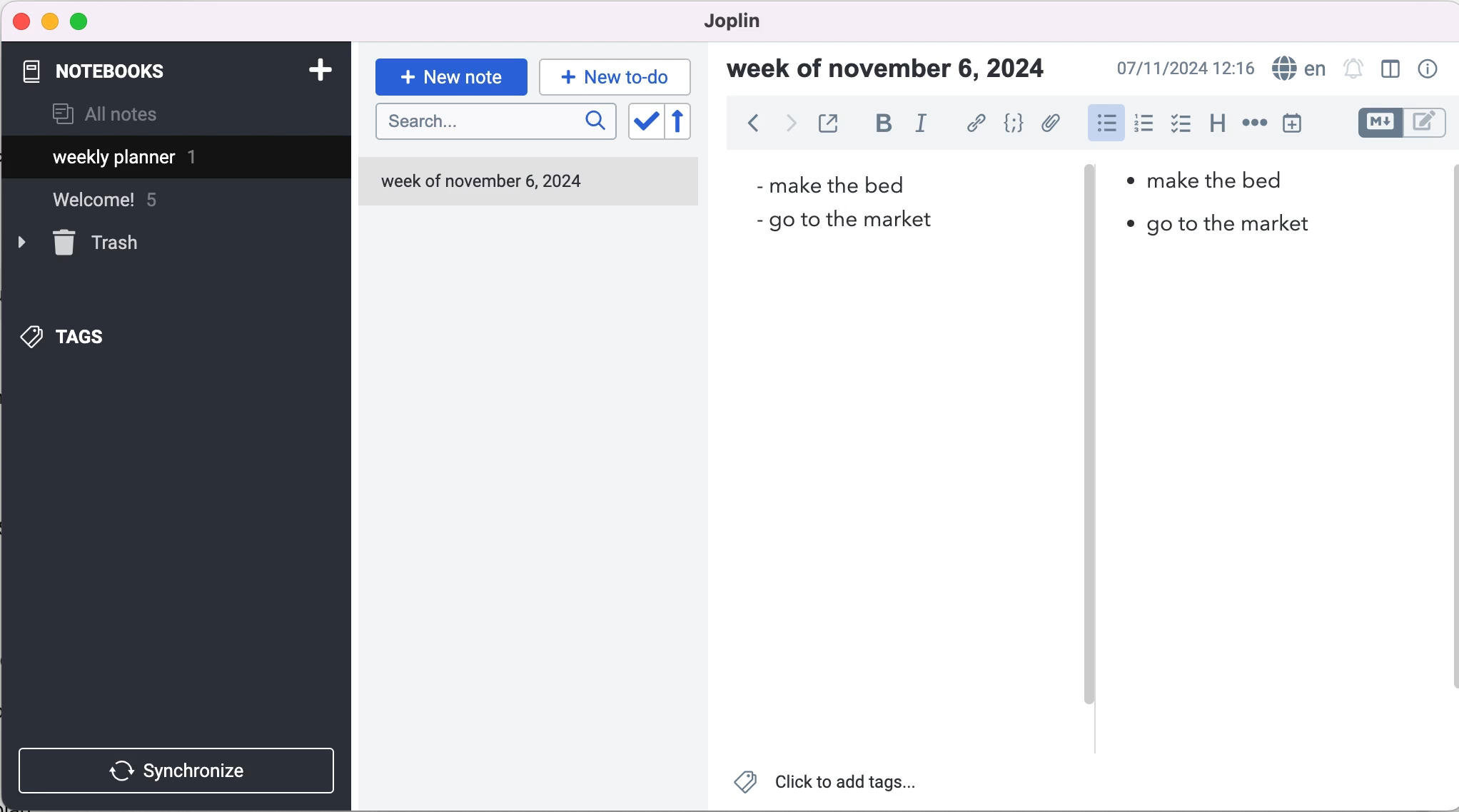 This screenshot has height=812, width=1459. I want to click on toggle editor layout, so click(1394, 71).